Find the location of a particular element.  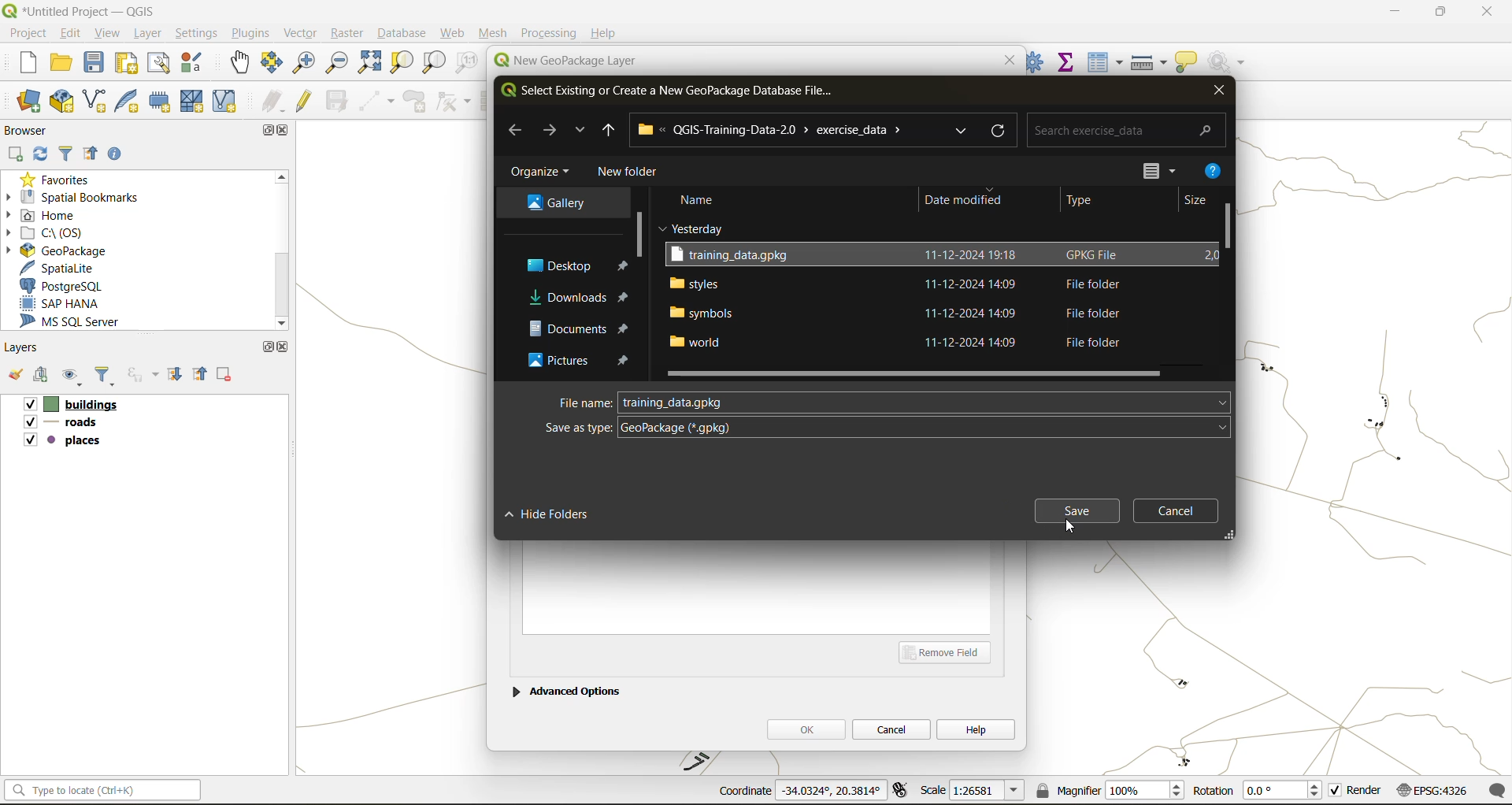

enable properties is located at coordinates (119, 153).